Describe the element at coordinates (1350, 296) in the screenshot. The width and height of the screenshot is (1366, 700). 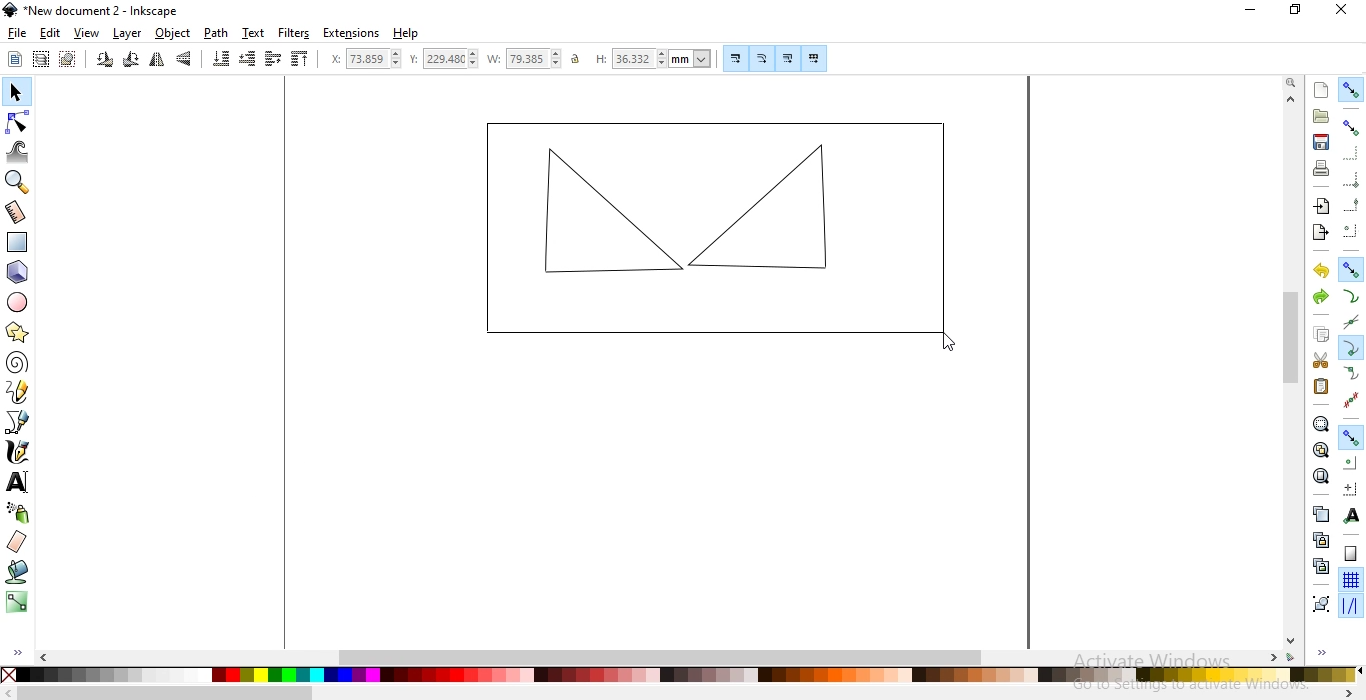
I see `snap to paths` at that location.